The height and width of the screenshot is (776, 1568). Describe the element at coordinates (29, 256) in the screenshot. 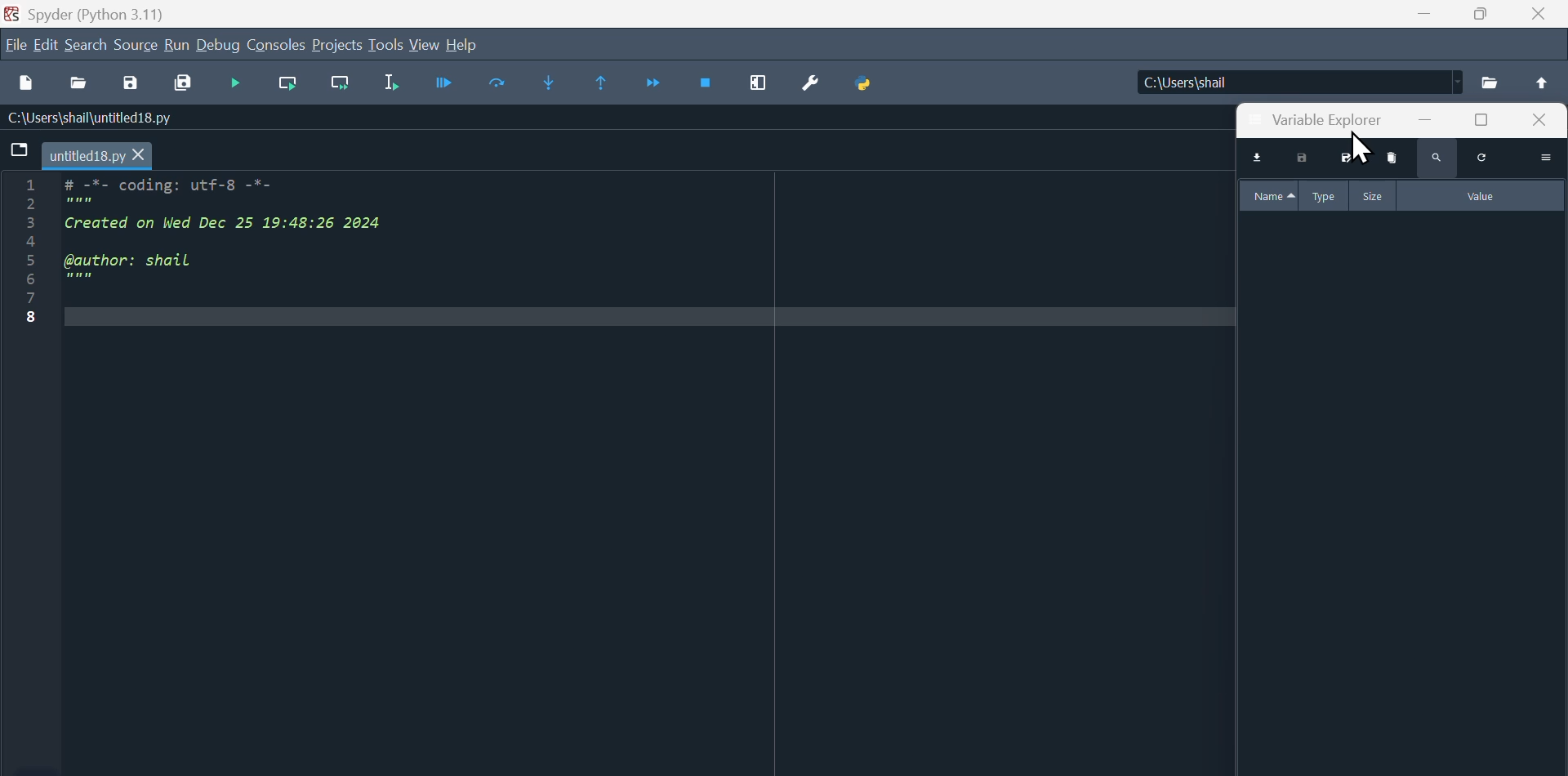

I see `line number` at that location.